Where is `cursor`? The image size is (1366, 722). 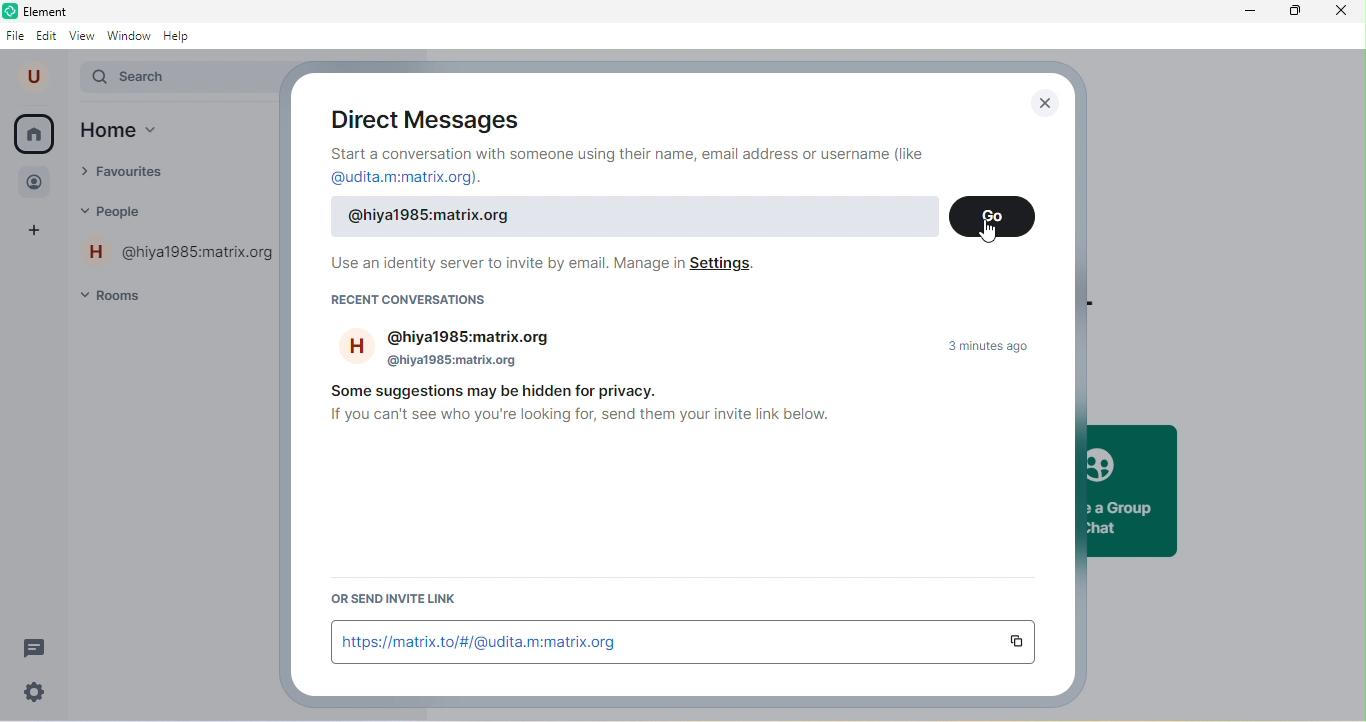
cursor is located at coordinates (984, 231).